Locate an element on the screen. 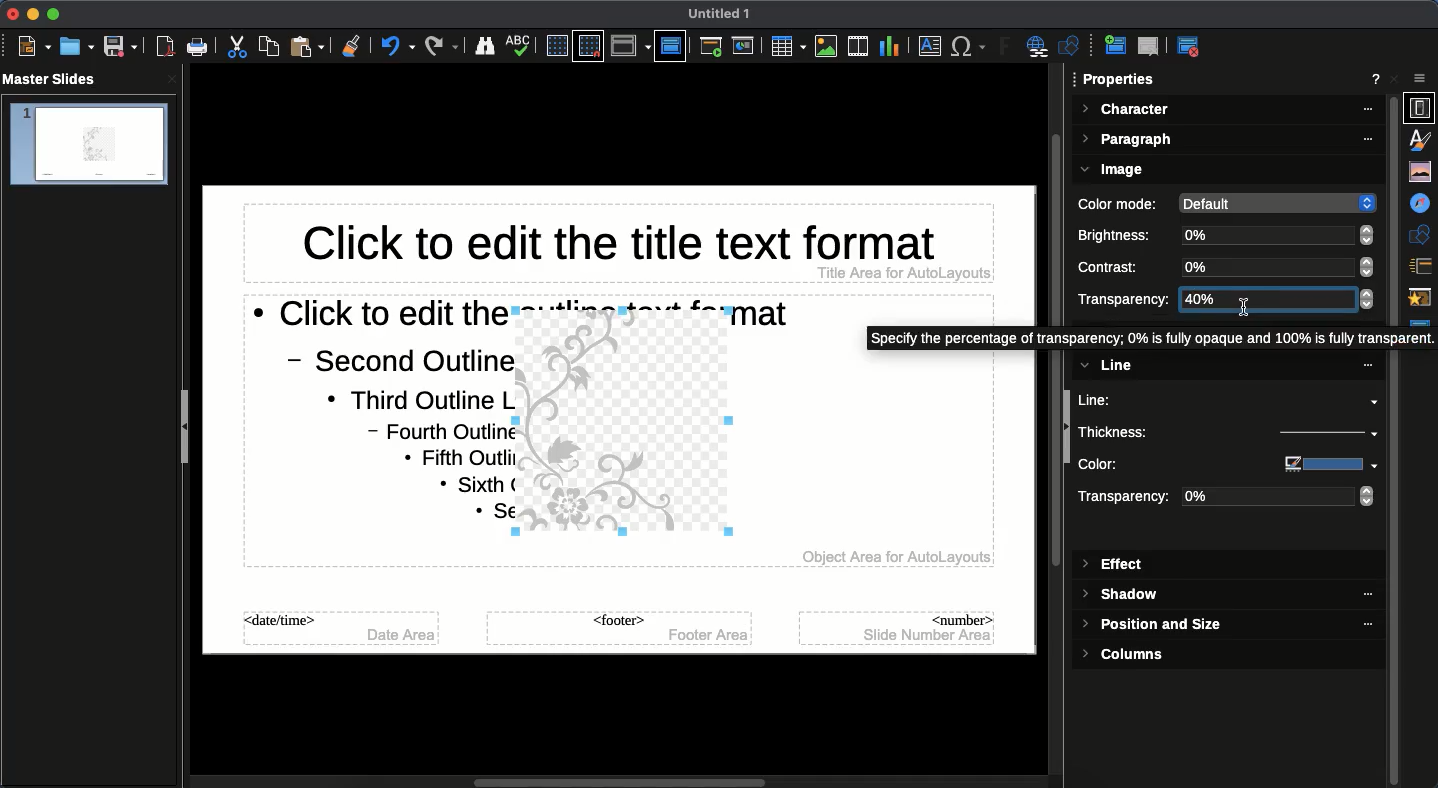  New master is located at coordinates (1113, 47).